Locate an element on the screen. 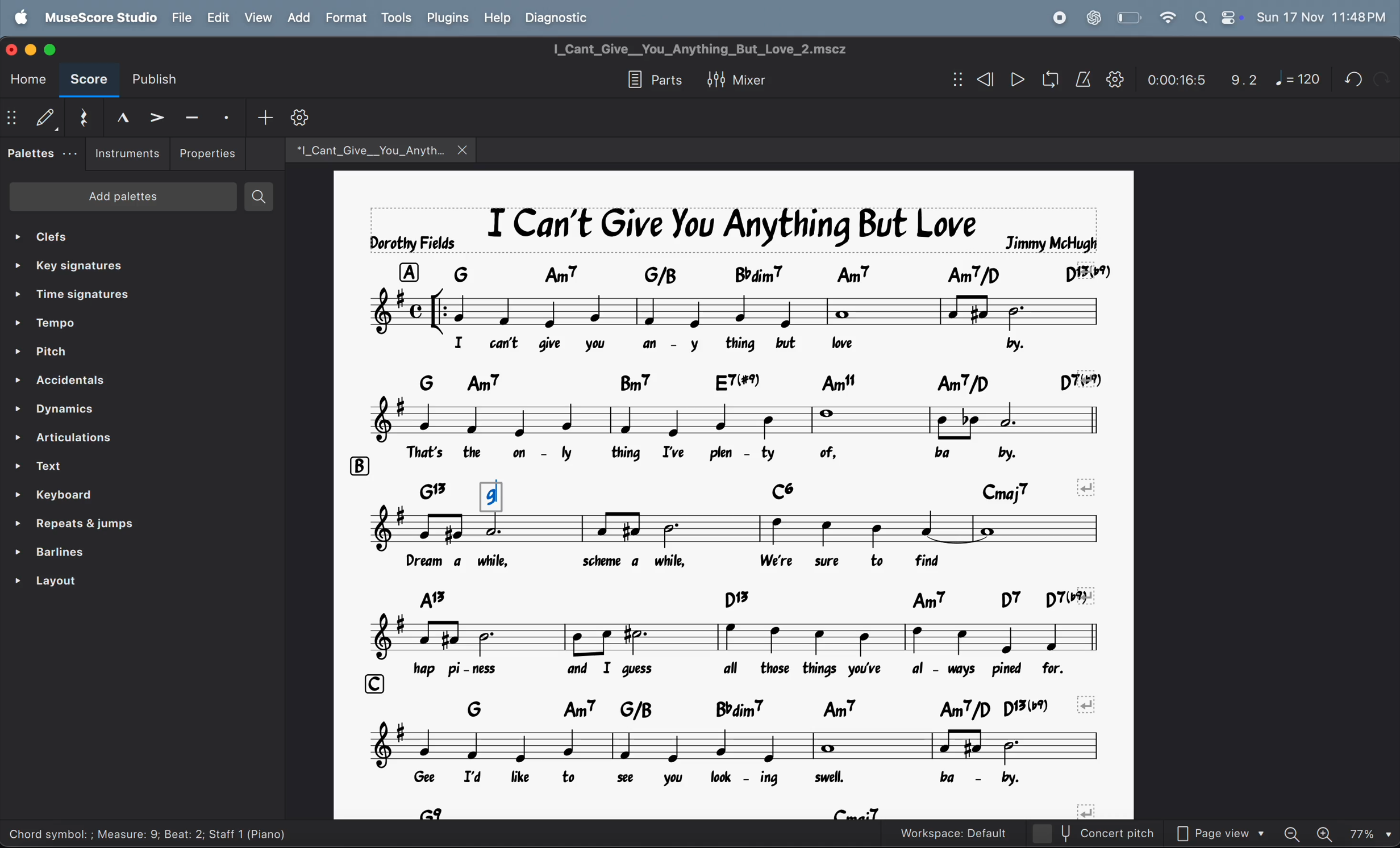  music files is located at coordinates (380, 149).